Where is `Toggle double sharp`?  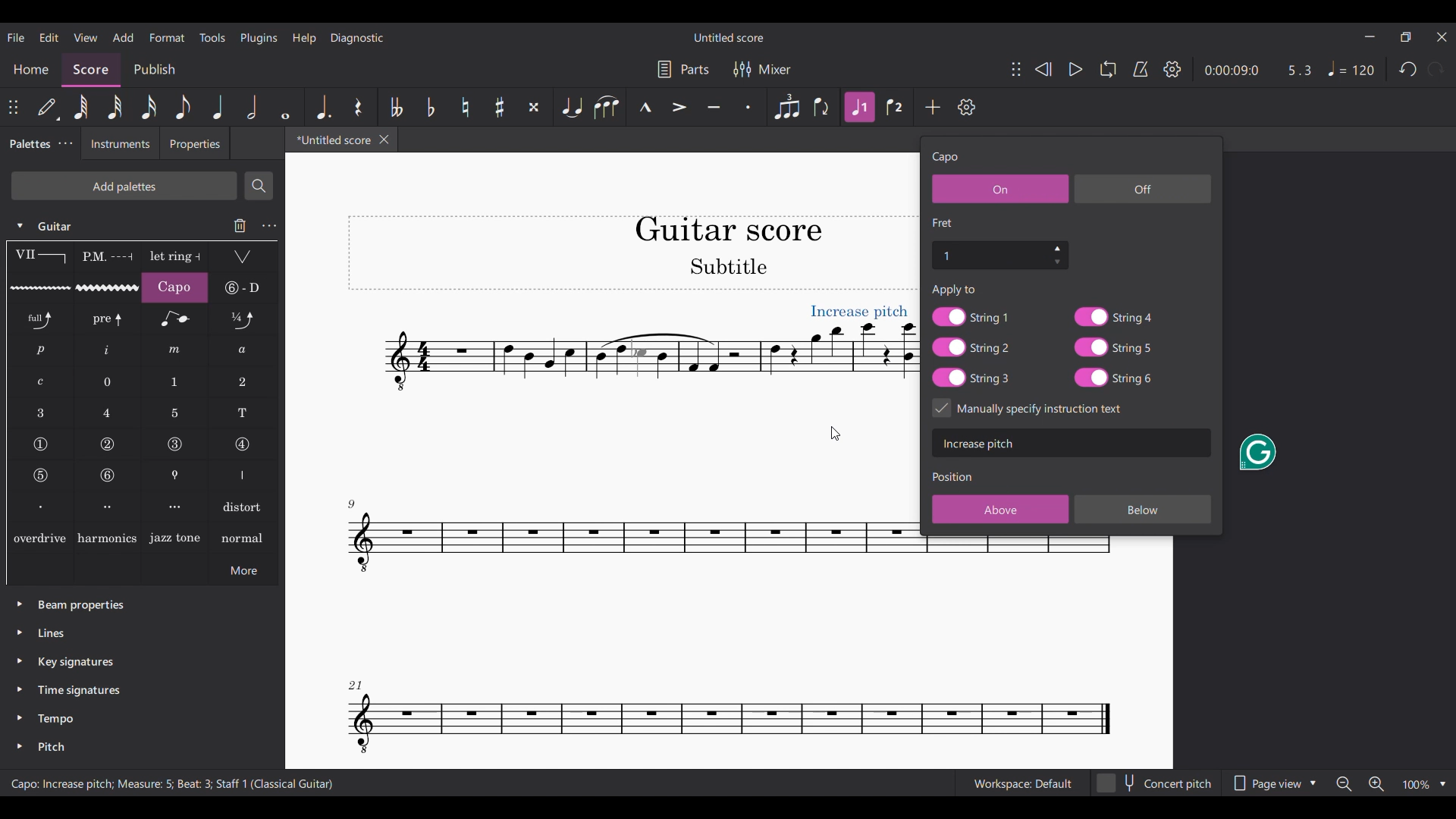 Toggle double sharp is located at coordinates (534, 107).